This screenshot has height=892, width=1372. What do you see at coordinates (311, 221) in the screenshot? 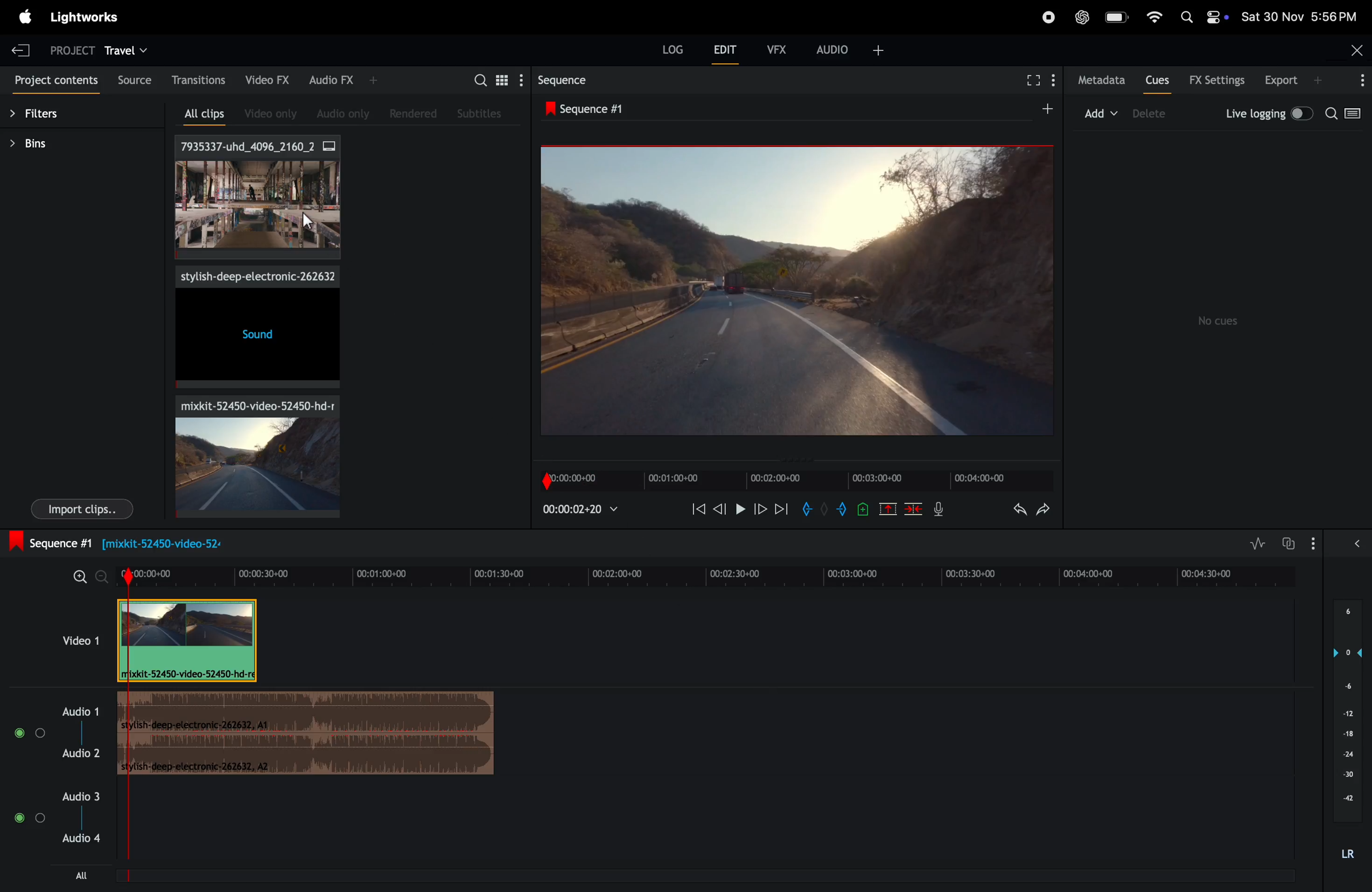
I see `cursor` at bounding box center [311, 221].